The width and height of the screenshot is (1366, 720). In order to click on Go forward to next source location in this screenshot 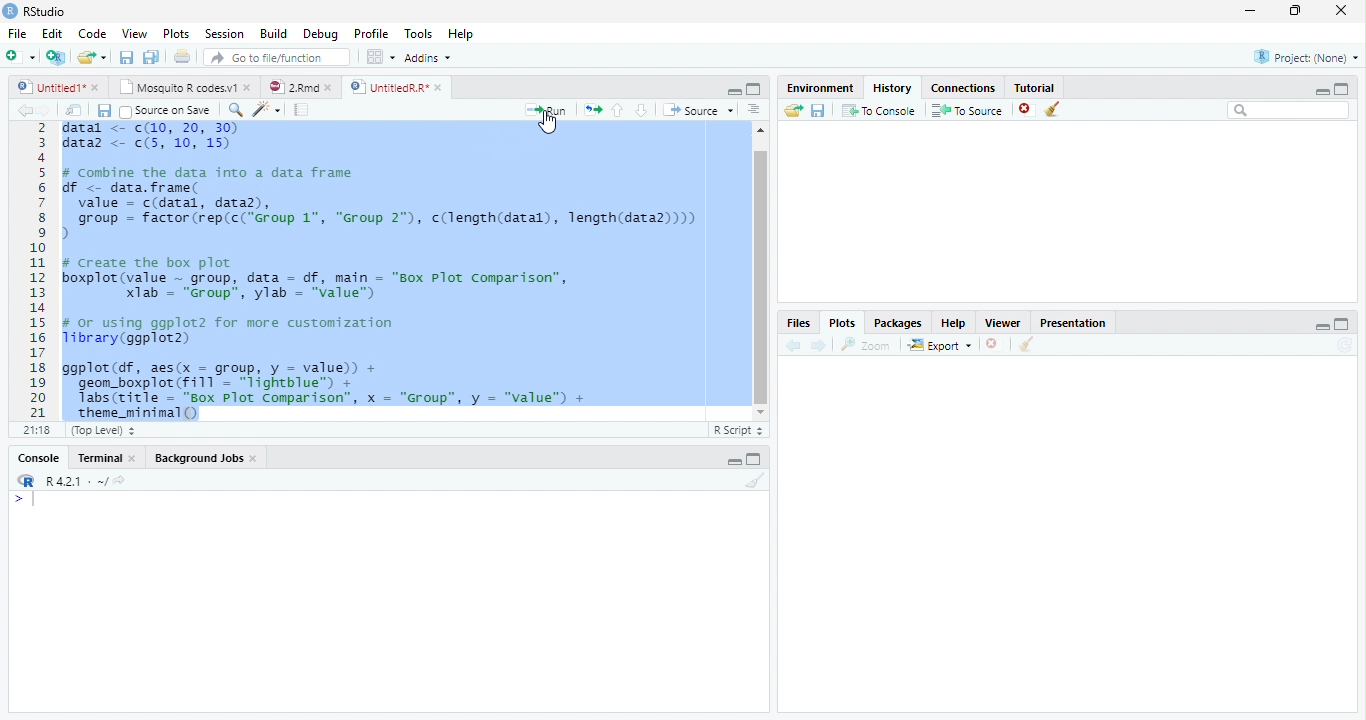, I will do `click(44, 111)`.